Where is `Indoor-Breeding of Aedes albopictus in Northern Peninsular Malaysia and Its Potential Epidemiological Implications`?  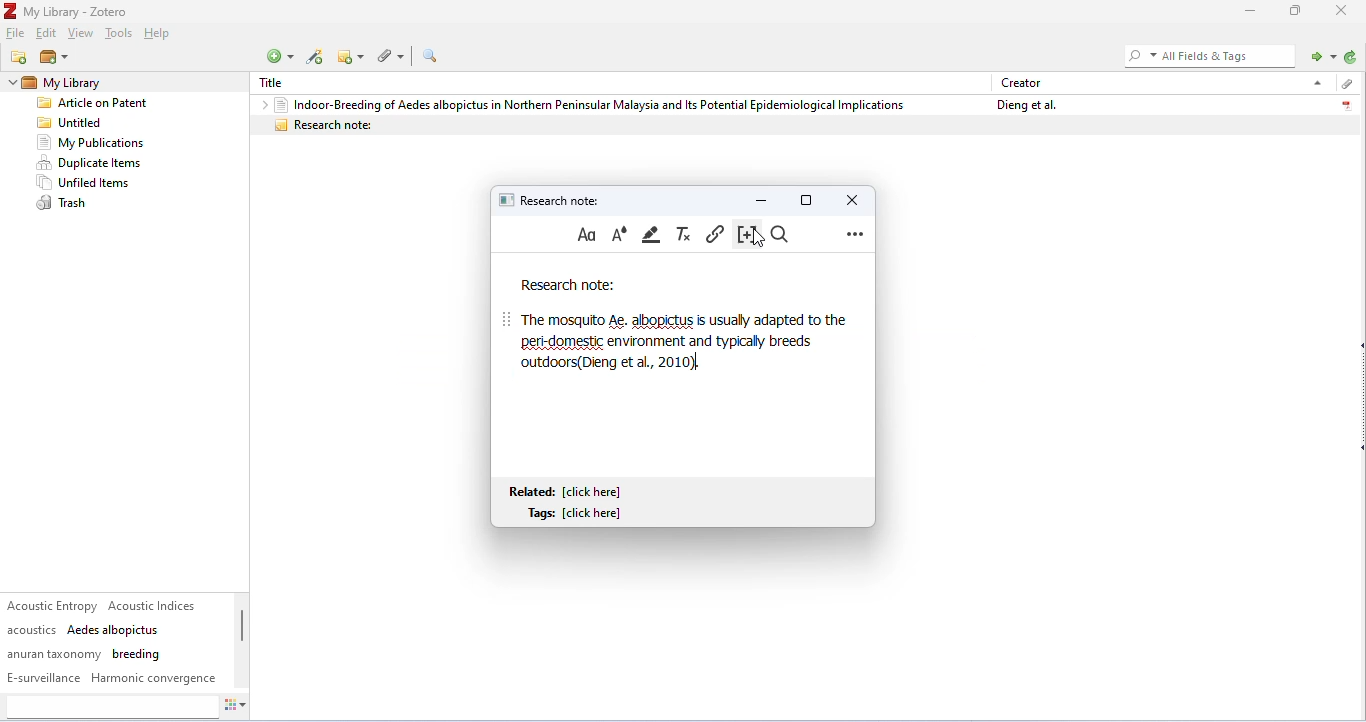 Indoor-Breeding of Aedes albopictus in Northern Peninsular Malaysia and Its Potential Epidemiological Implications is located at coordinates (589, 104).